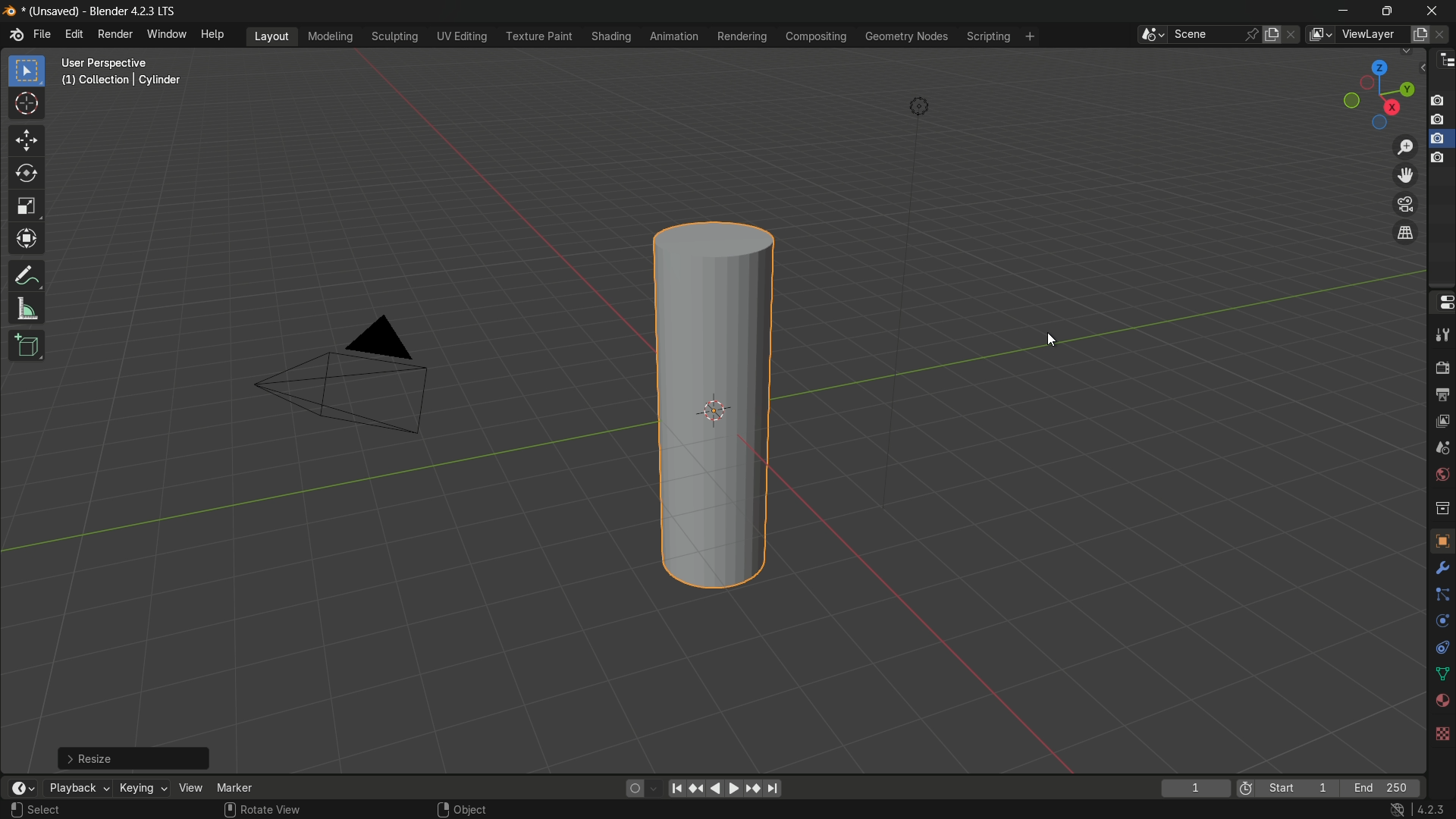 This screenshot has width=1456, height=819. Describe the element at coordinates (1194, 789) in the screenshot. I see `1` at that location.